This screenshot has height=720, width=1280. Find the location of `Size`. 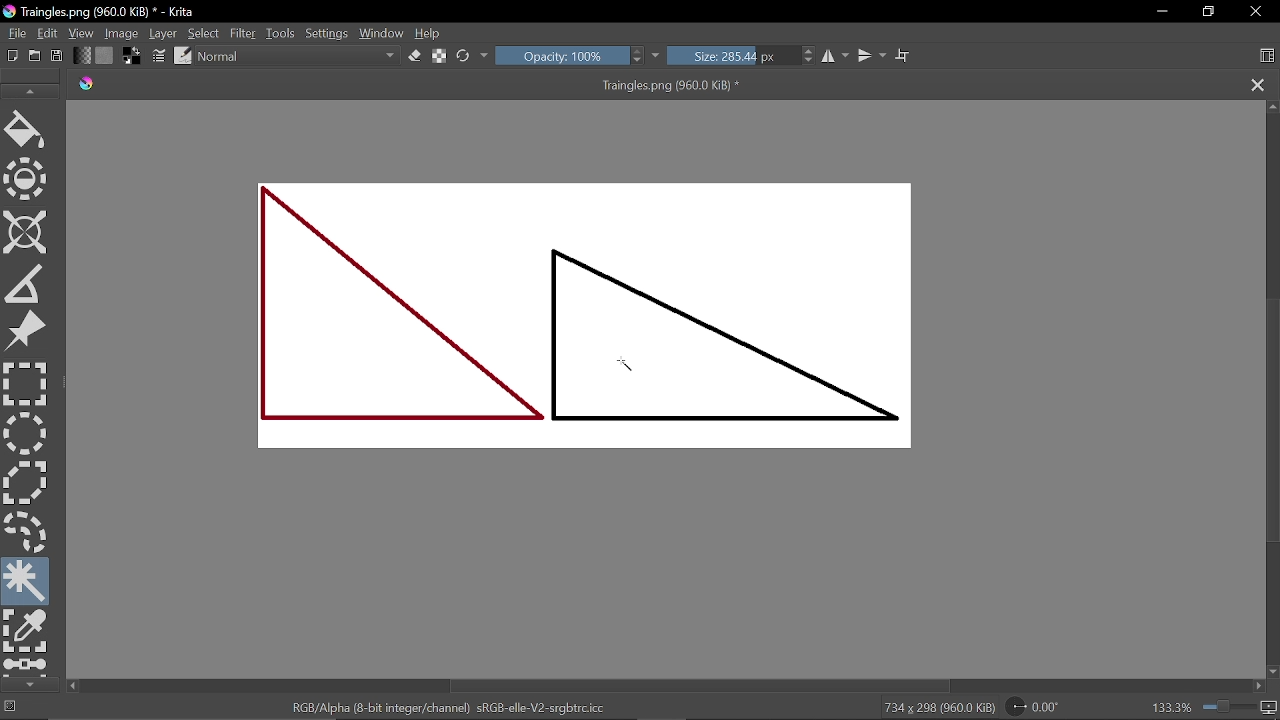

Size is located at coordinates (731, 55).